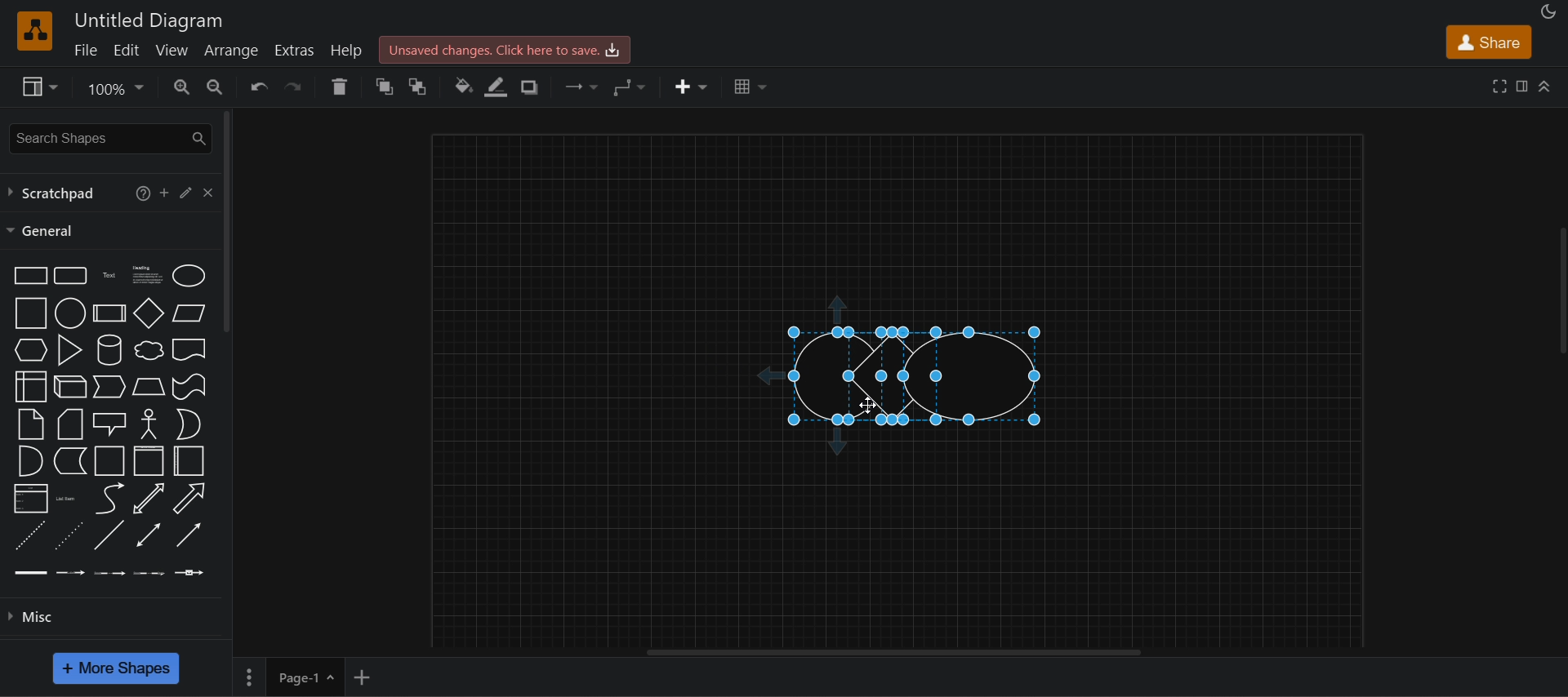 This screenshot has height=697, width=1568. What do you see at coordinates (751, 87) in the screenshot?
I see `tavle` at bounding box center [751, 87].